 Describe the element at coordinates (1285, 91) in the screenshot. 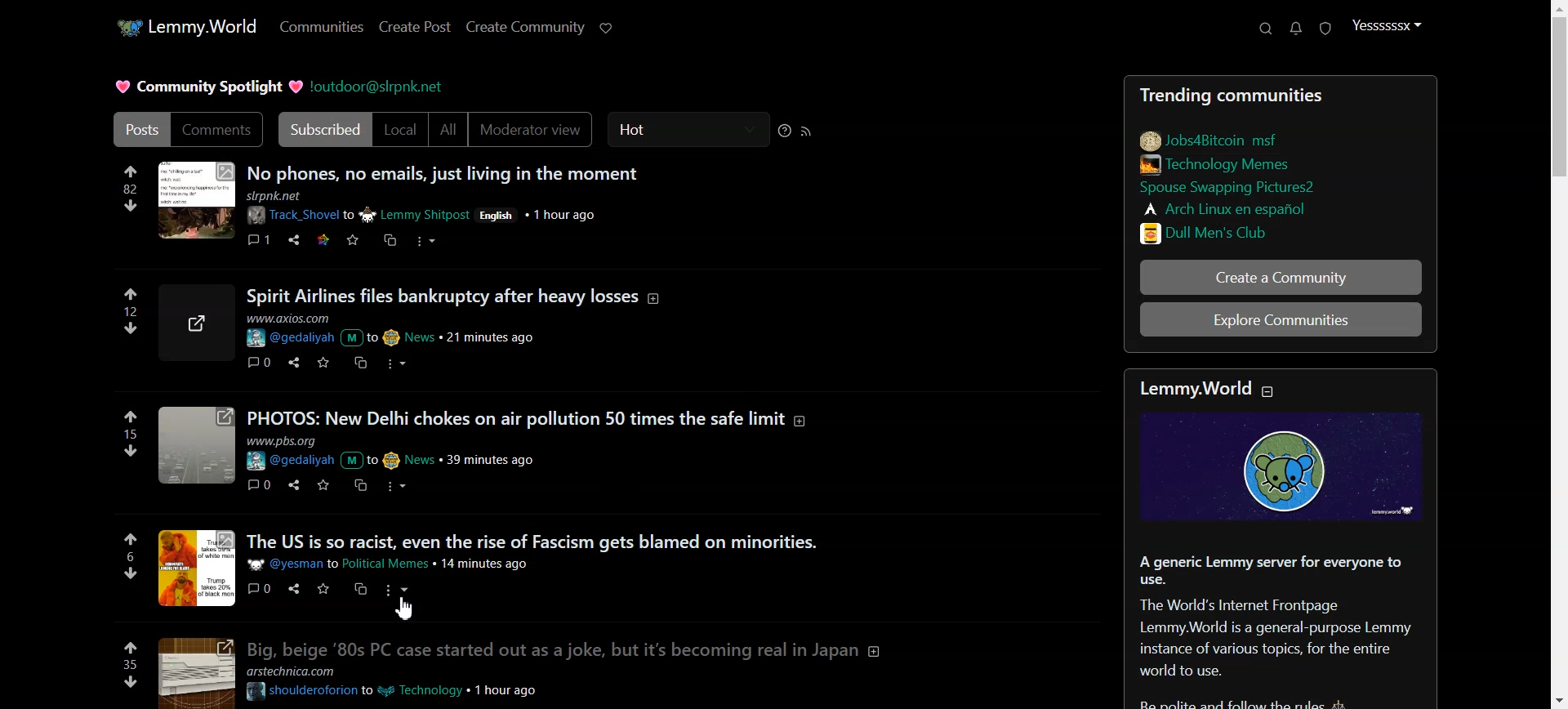

I see `Posts` at that location.